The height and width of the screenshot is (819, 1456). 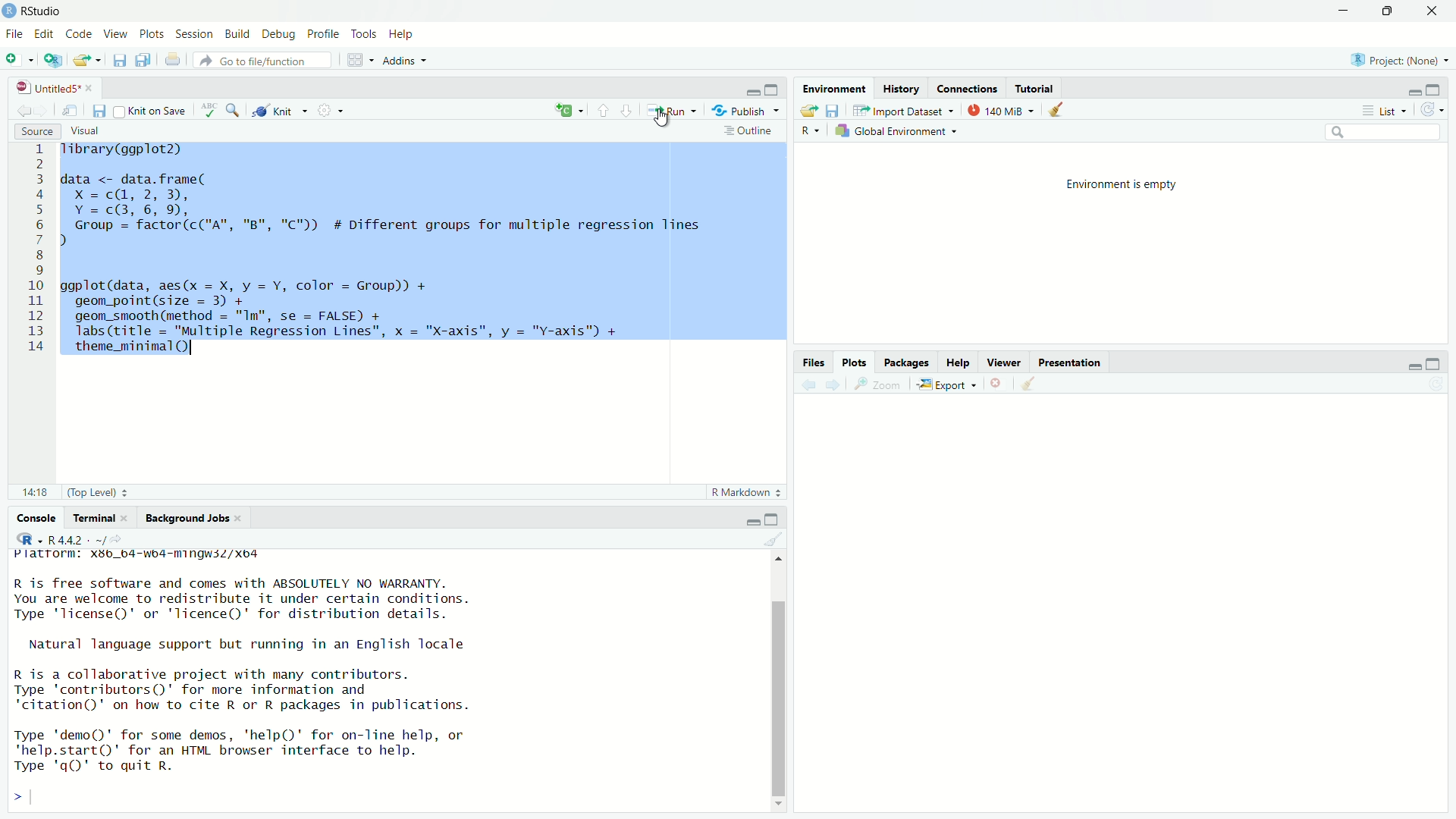 What do you see at coordinates (813, 361) in the screenshot?
I see `` at bounding box center [813, 361].